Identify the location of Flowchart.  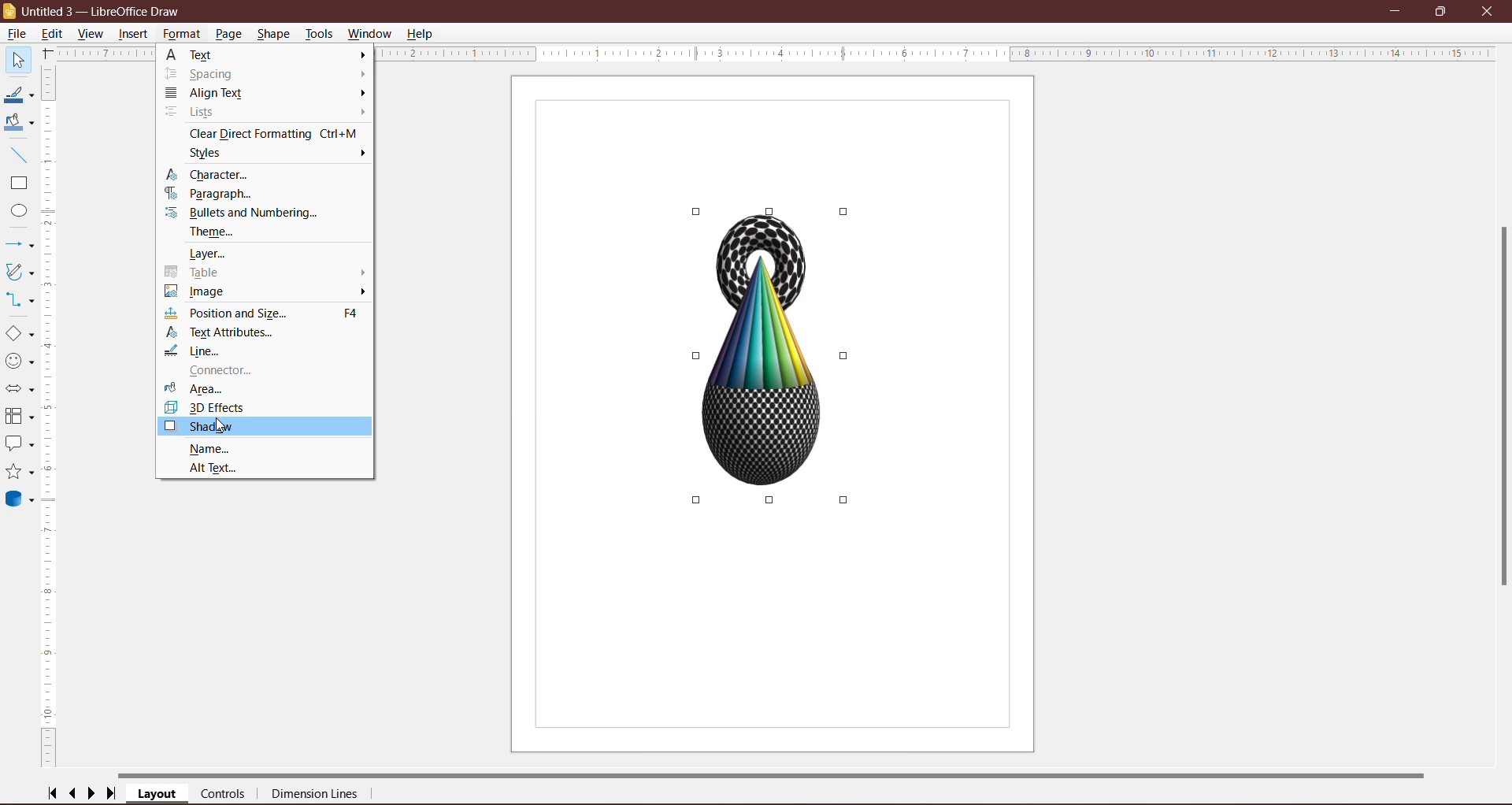
(20, 417).